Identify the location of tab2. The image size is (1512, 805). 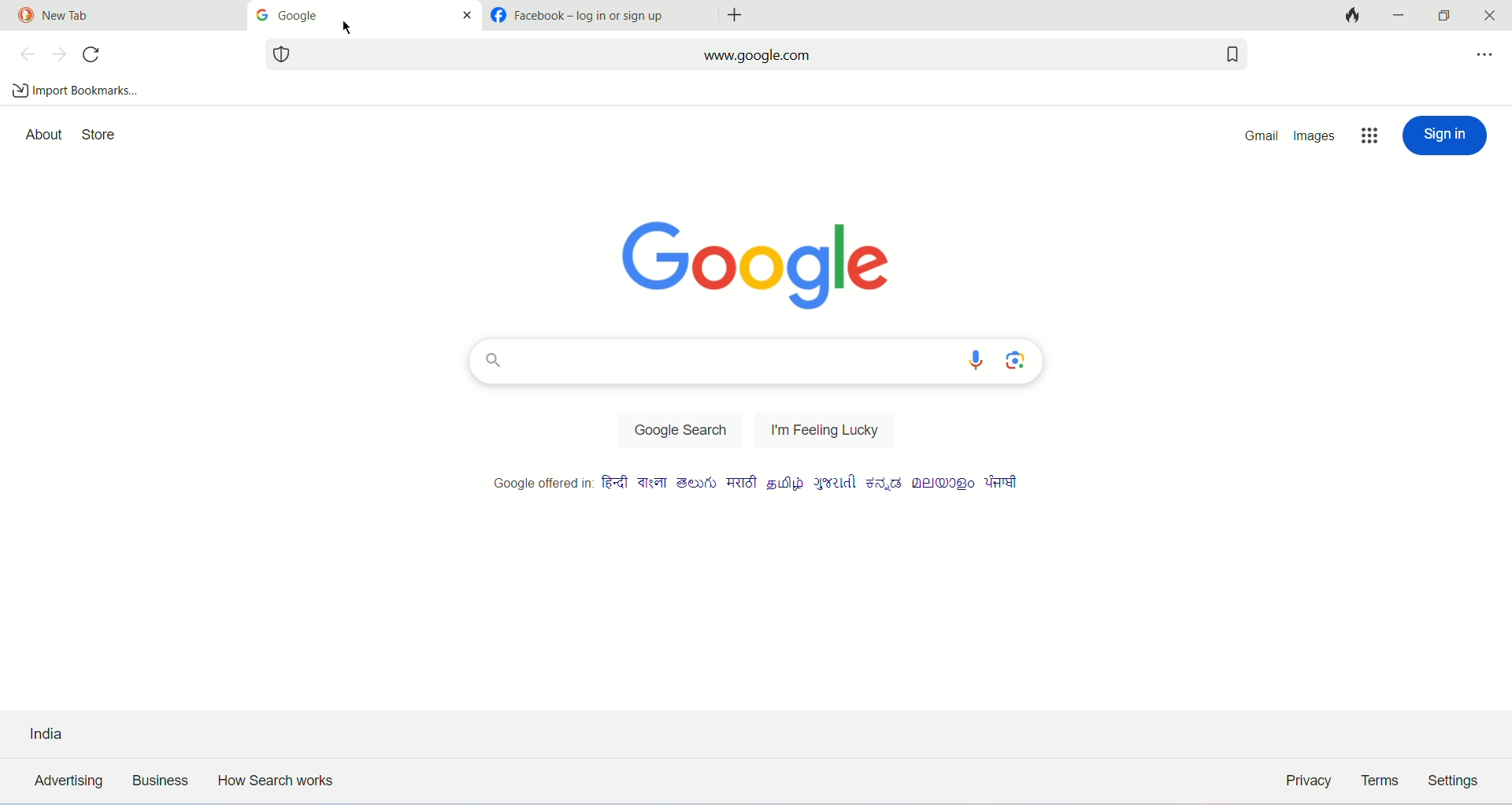
(366, 17).